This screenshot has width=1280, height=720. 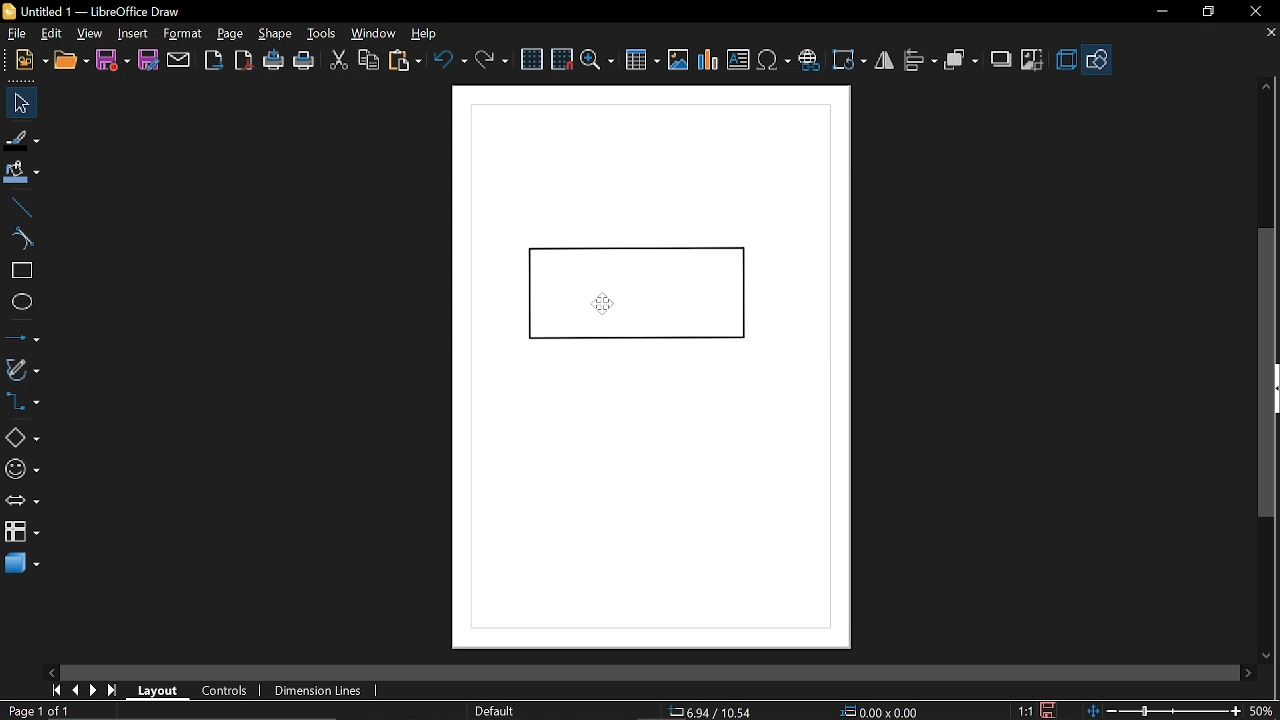 I want to click on rectangle, so click(x=20, y=271).